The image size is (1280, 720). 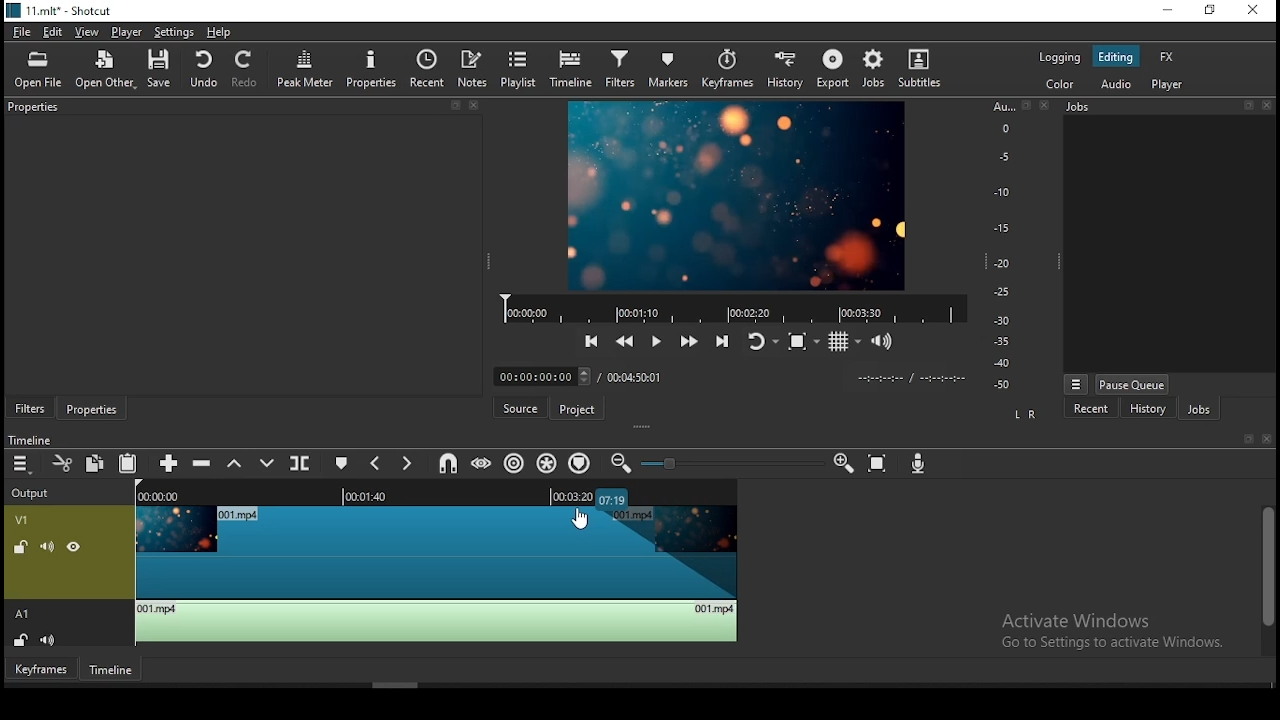 I want to click on total time, so click(x=639, y=376).